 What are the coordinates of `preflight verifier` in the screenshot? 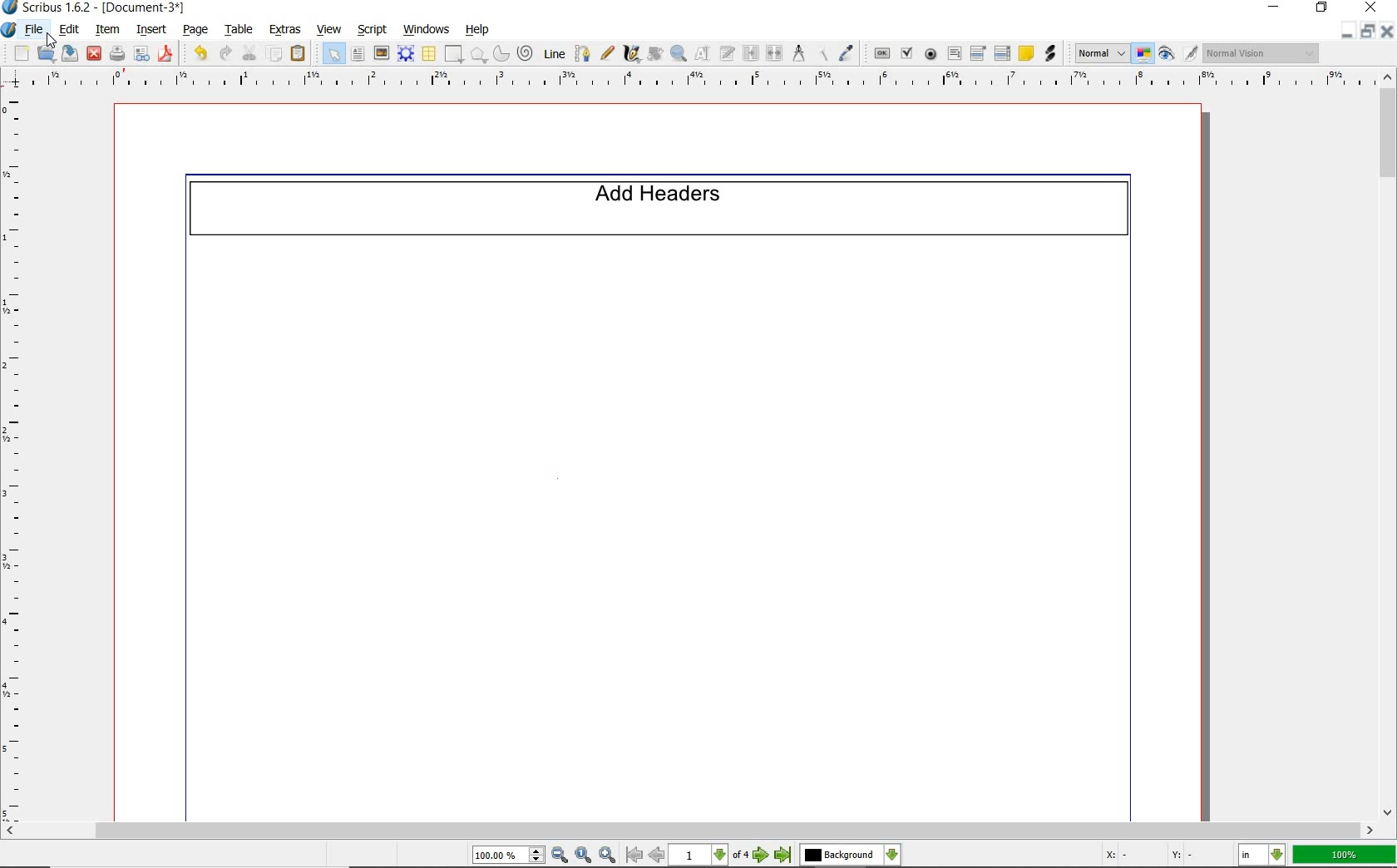 It's located at (142, 55).